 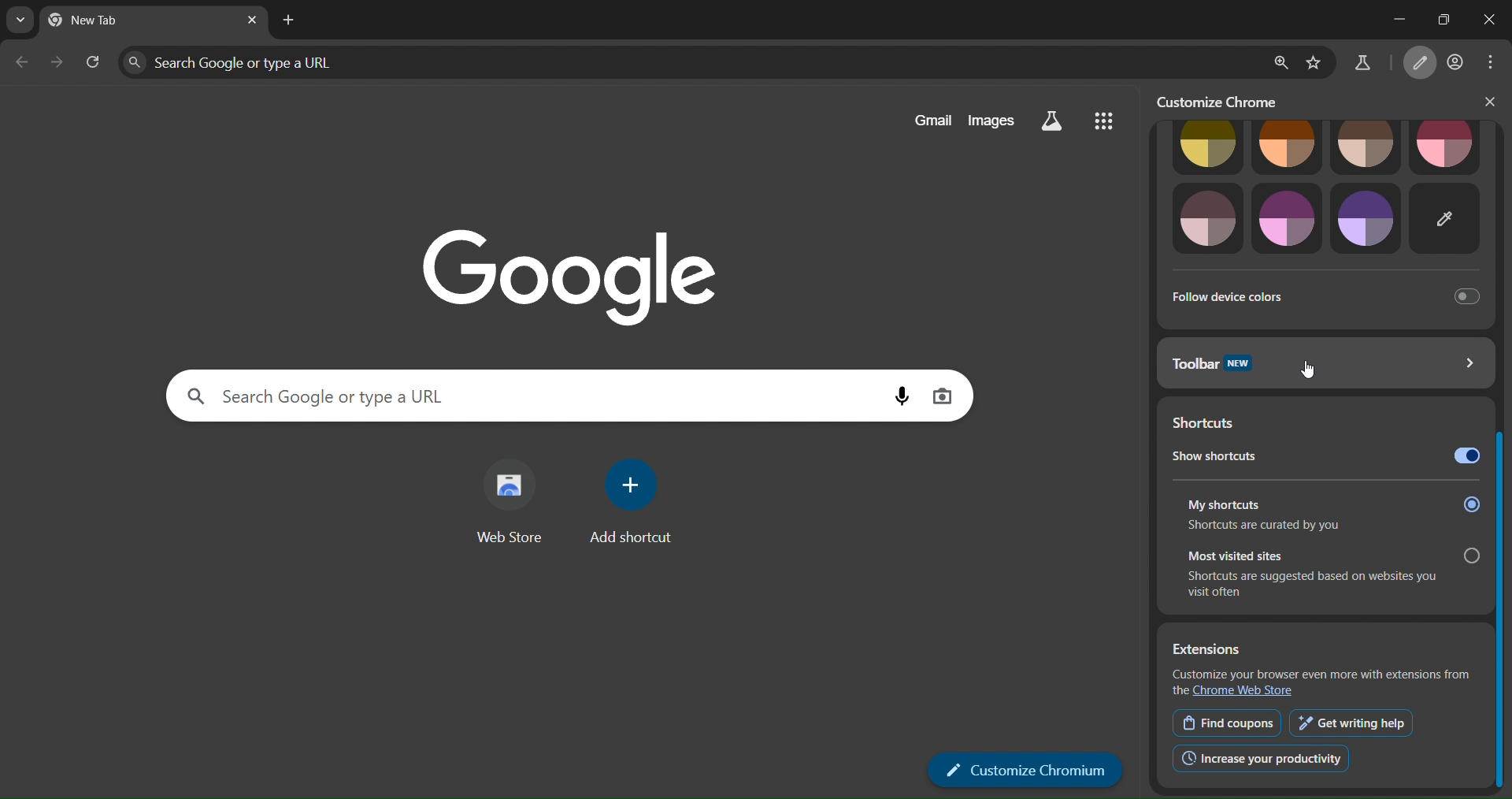 I want to click on reload page, so click(x=94, y=63).